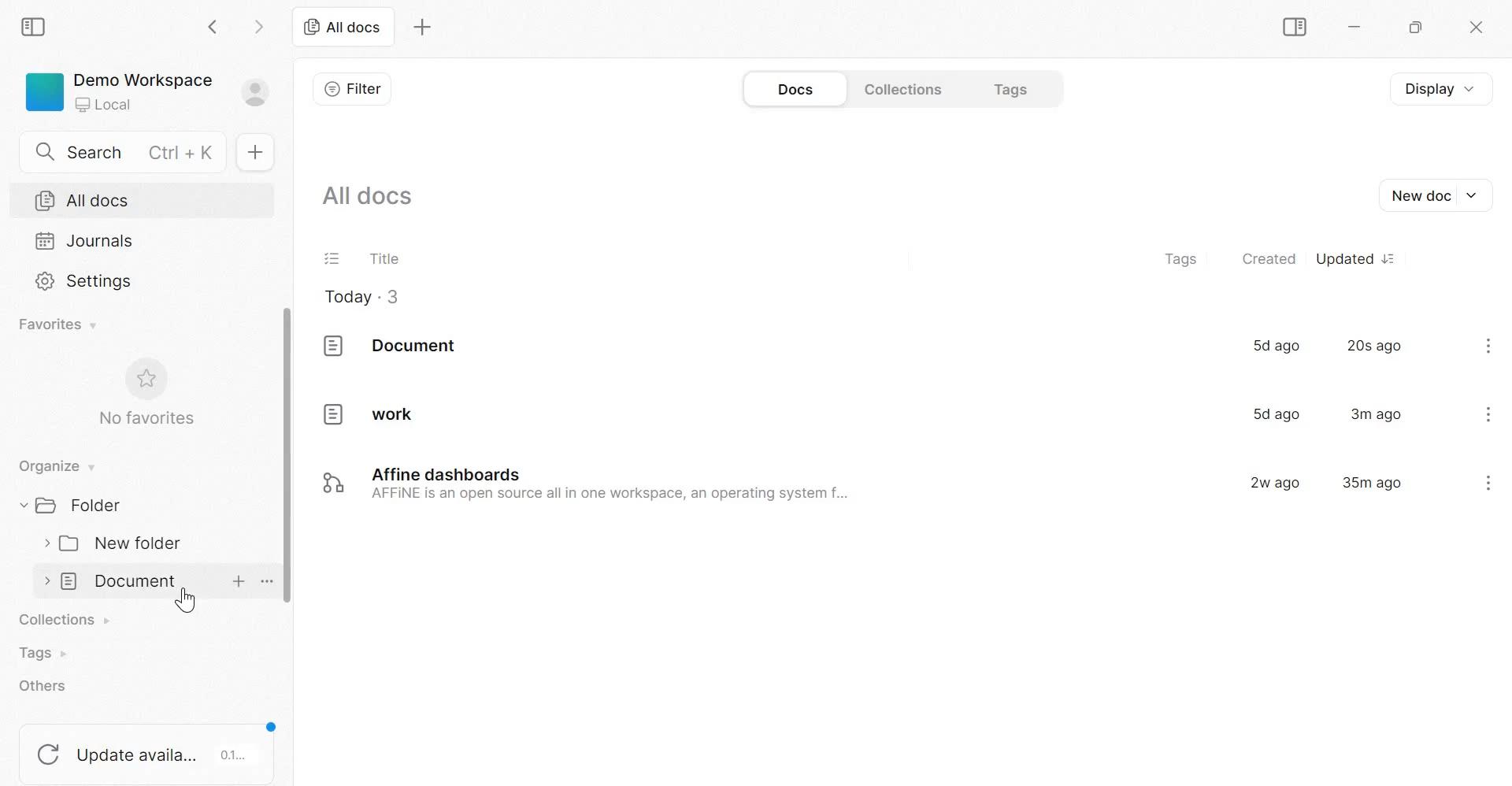 Image resolution: width=1512 pixels, height=786 pixels. Describe the element at coordinates (1294, 27) in the screenshot. I see `Sidebar Toggle` at that location.